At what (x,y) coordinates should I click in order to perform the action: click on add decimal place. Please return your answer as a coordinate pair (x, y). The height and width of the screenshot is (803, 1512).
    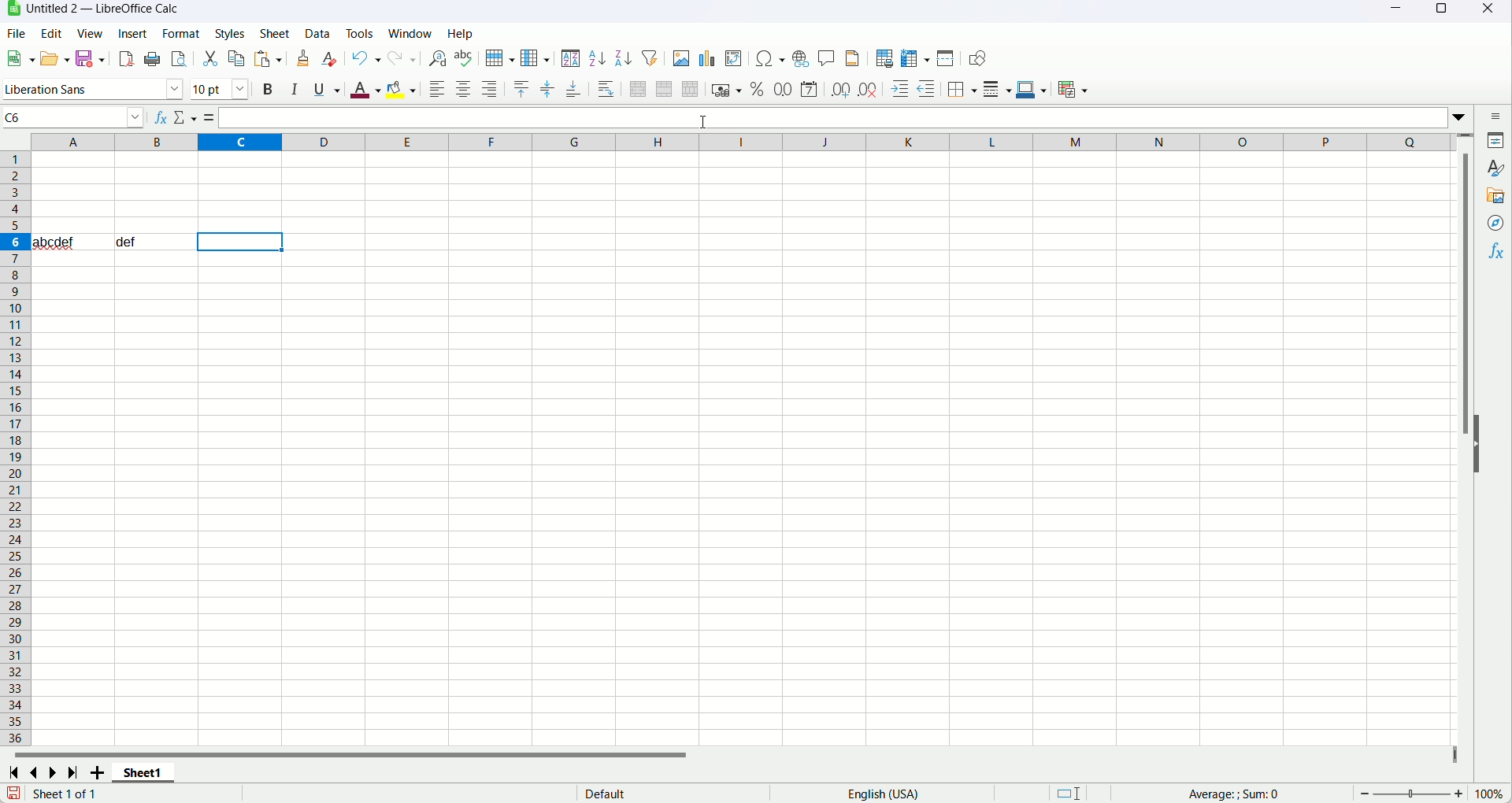
    Looking at the image, I should click on (840, 91).